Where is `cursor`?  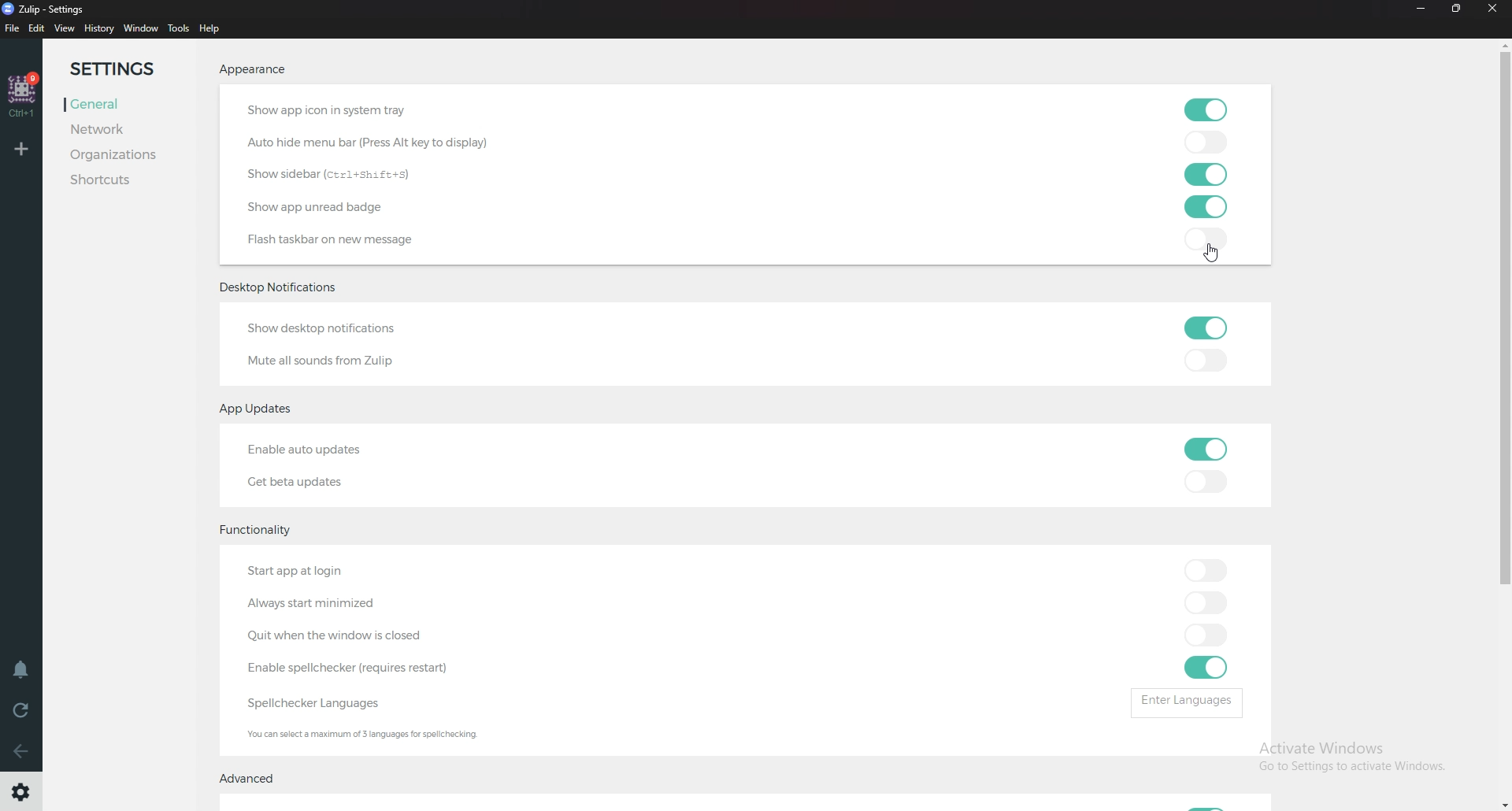
cursor is located at coordinates (1214, 253).